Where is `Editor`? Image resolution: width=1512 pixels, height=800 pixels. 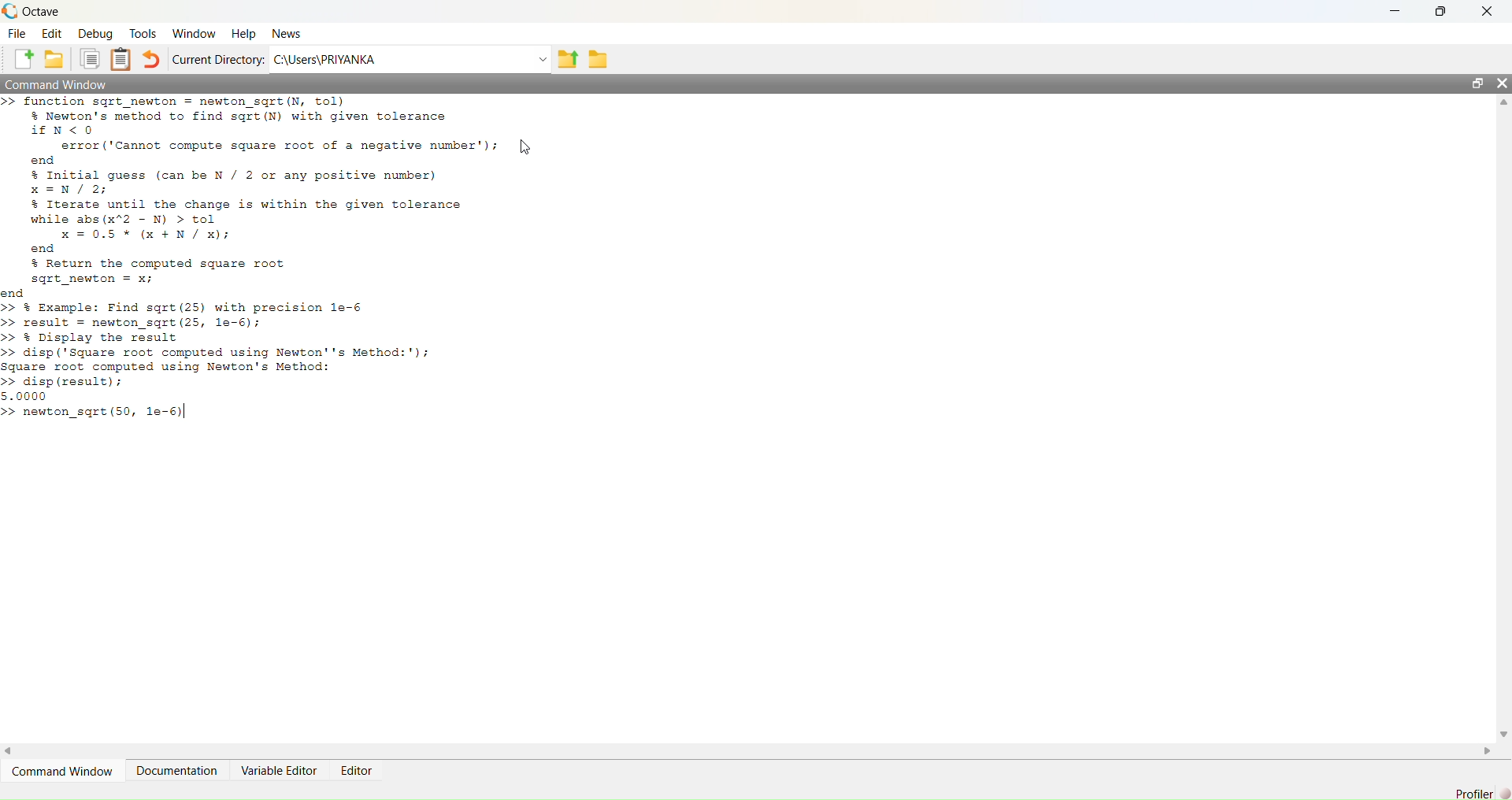
Editor is located at coordinates (354, 768).